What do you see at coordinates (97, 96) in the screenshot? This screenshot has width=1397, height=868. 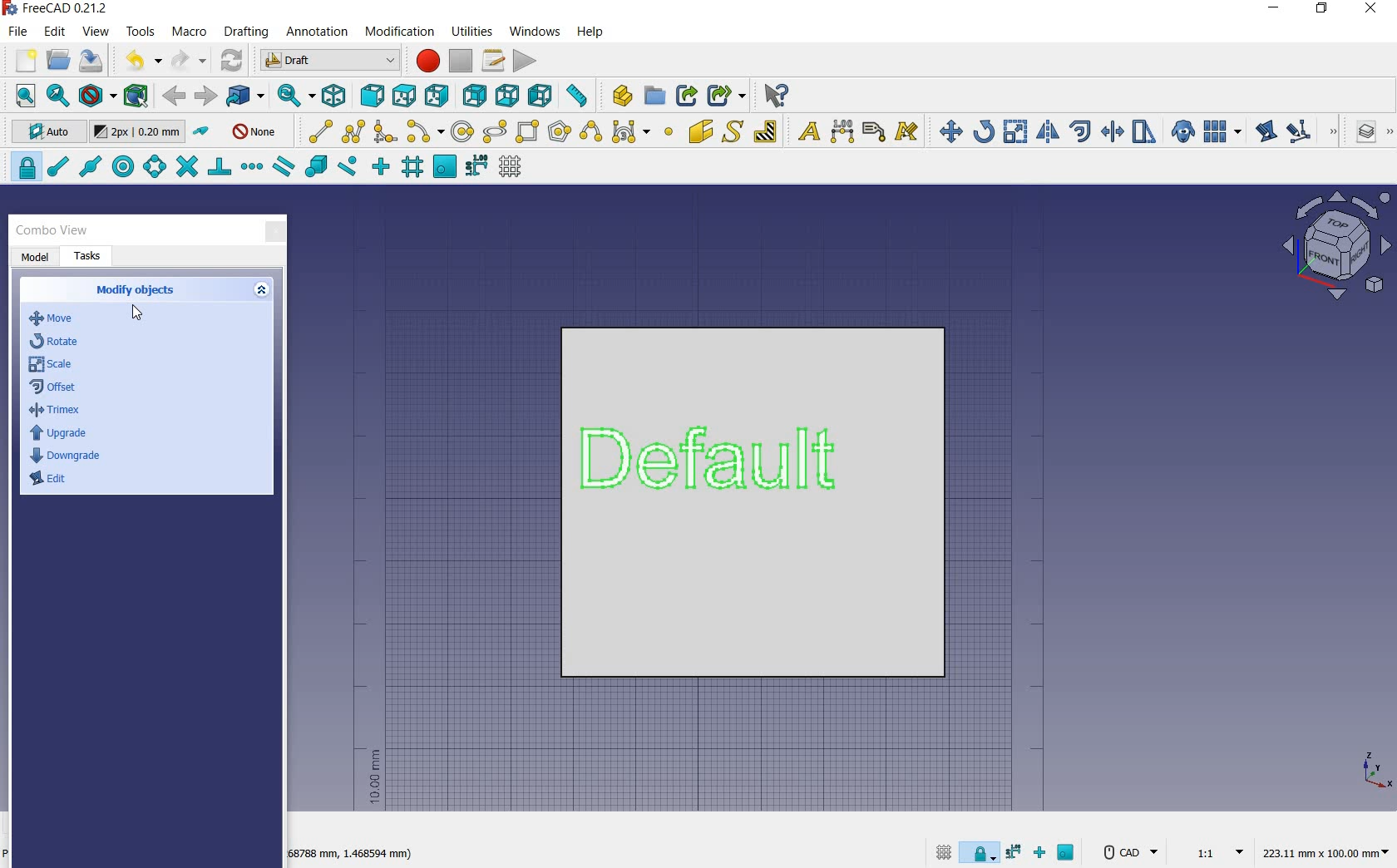 I see `draw style` at bounding box center [97, 96].